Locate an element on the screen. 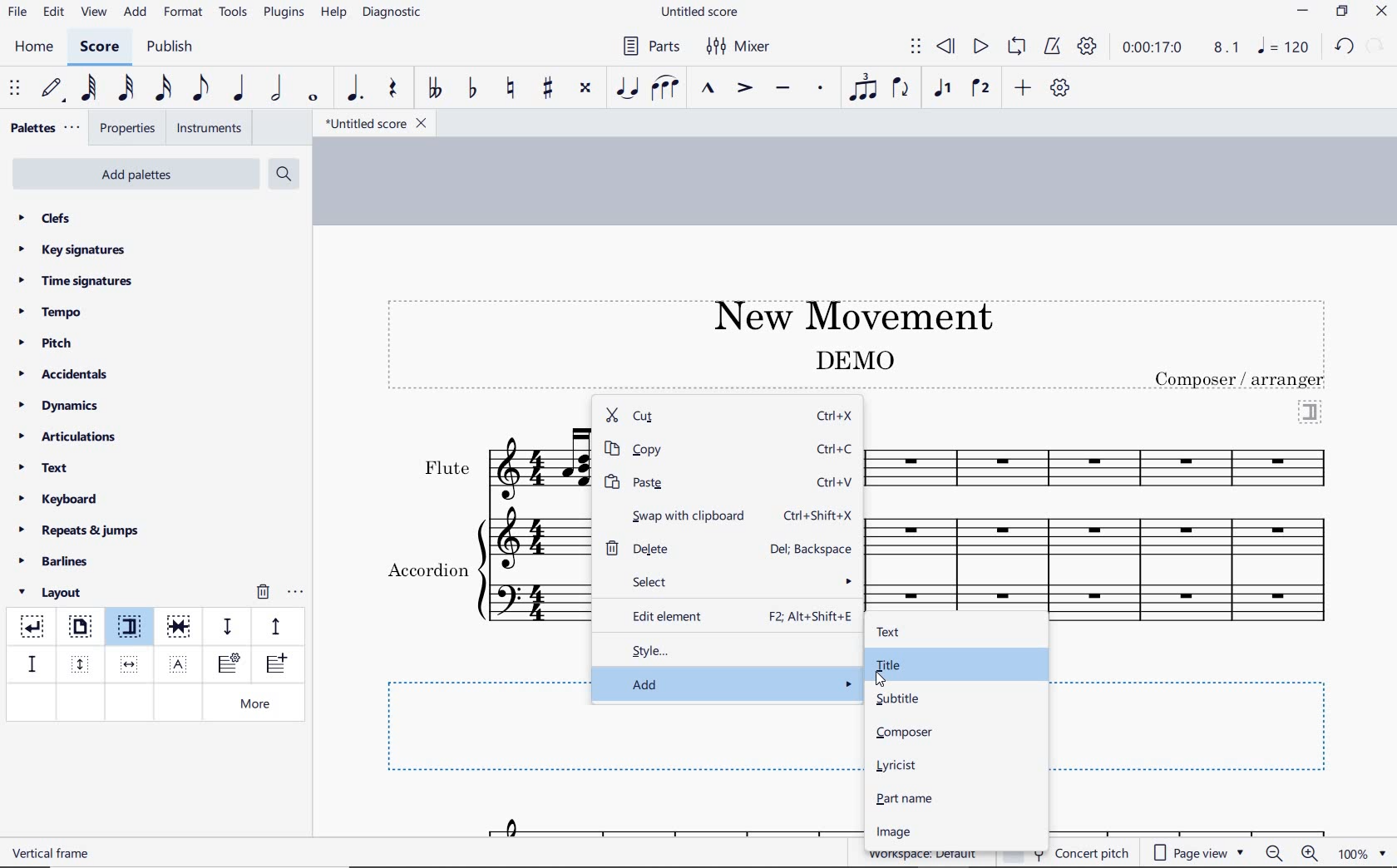 Image resolution: width=1397 pixels, height=868 pixels. toggle double-sharp is located at coordinates (586, 88).